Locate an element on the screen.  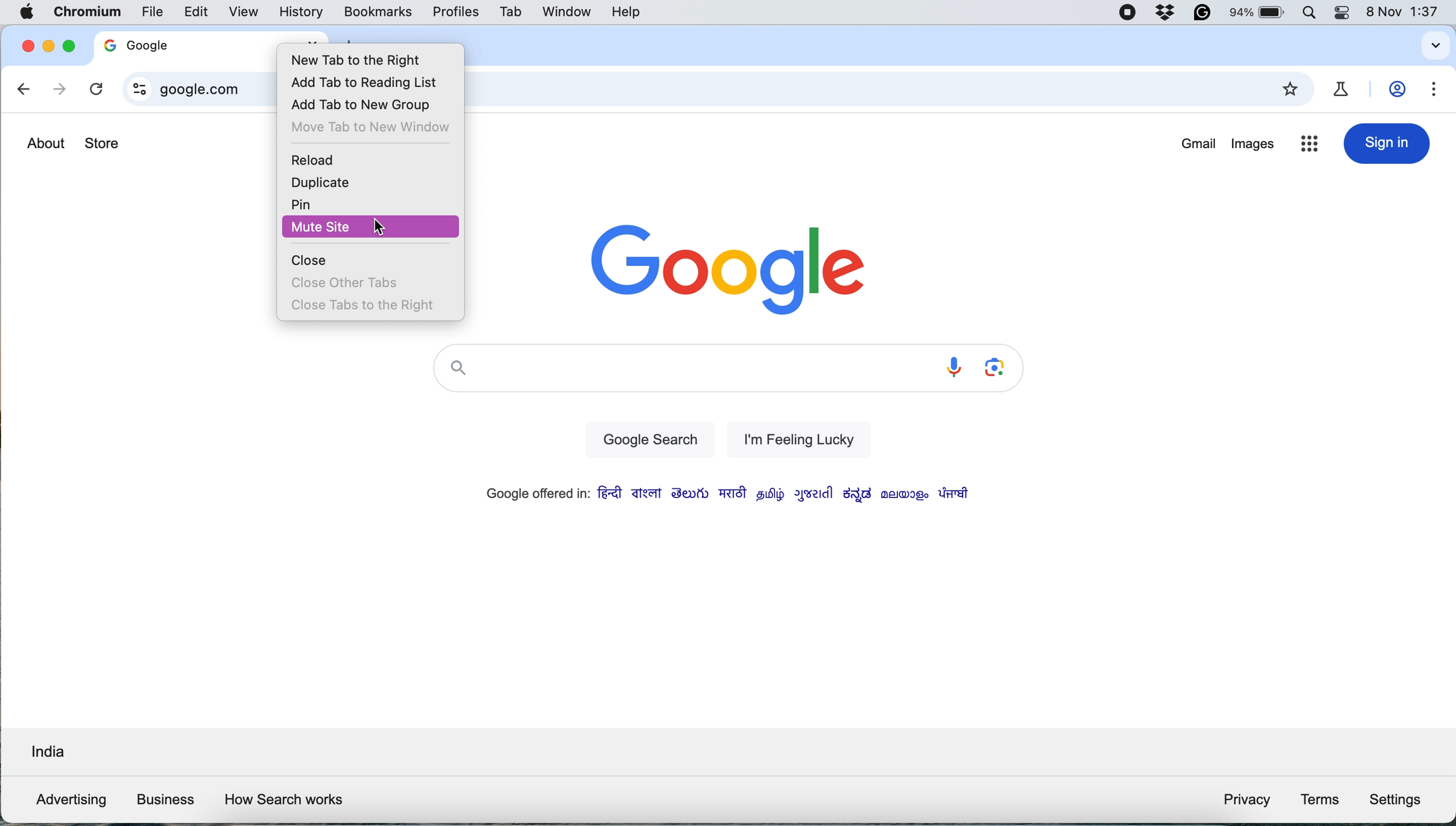
terms is located at coordinates (1320, 799).